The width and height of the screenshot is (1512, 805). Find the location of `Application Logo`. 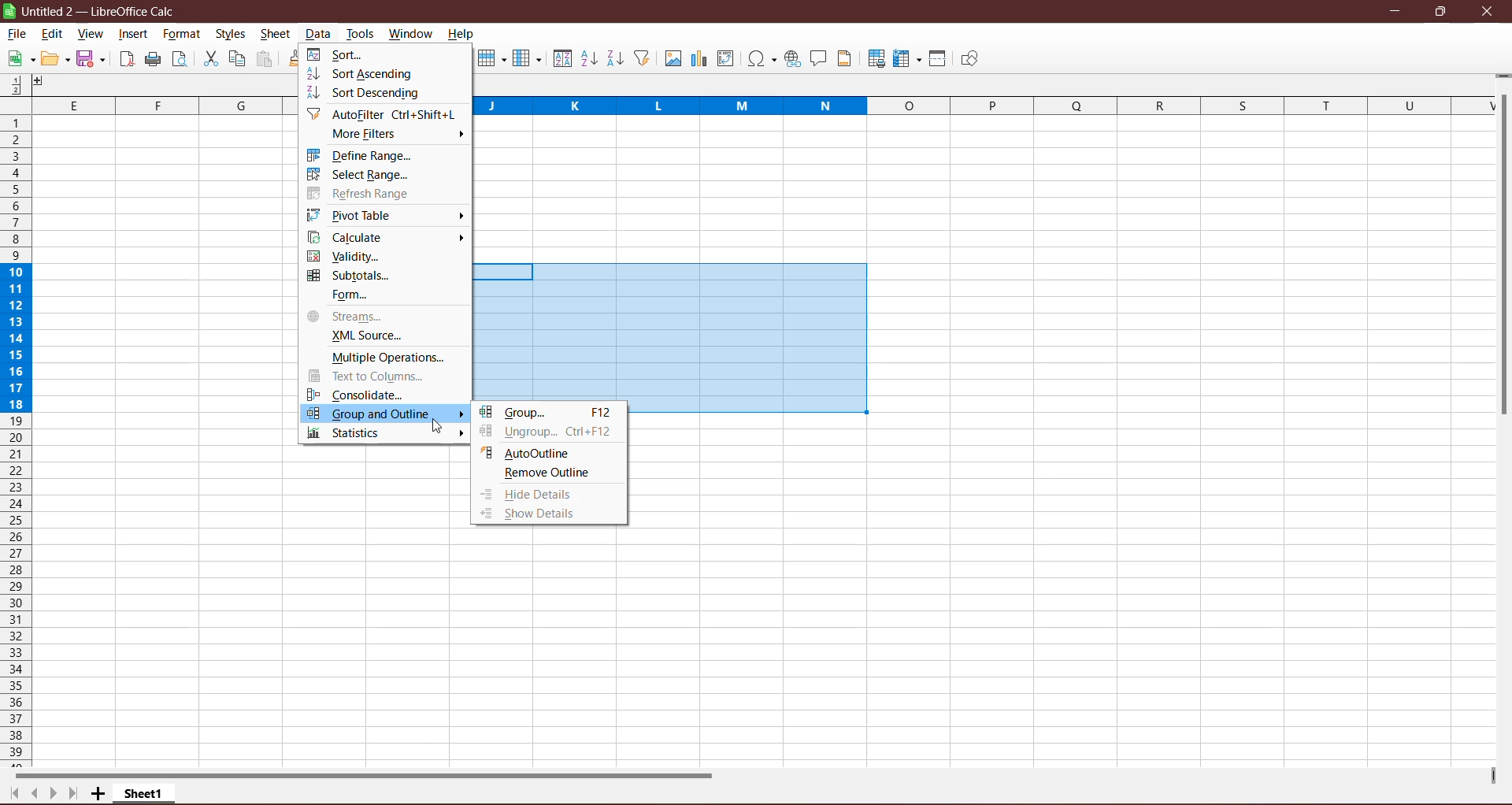

Application Logo is located at coordinates (9, 11).